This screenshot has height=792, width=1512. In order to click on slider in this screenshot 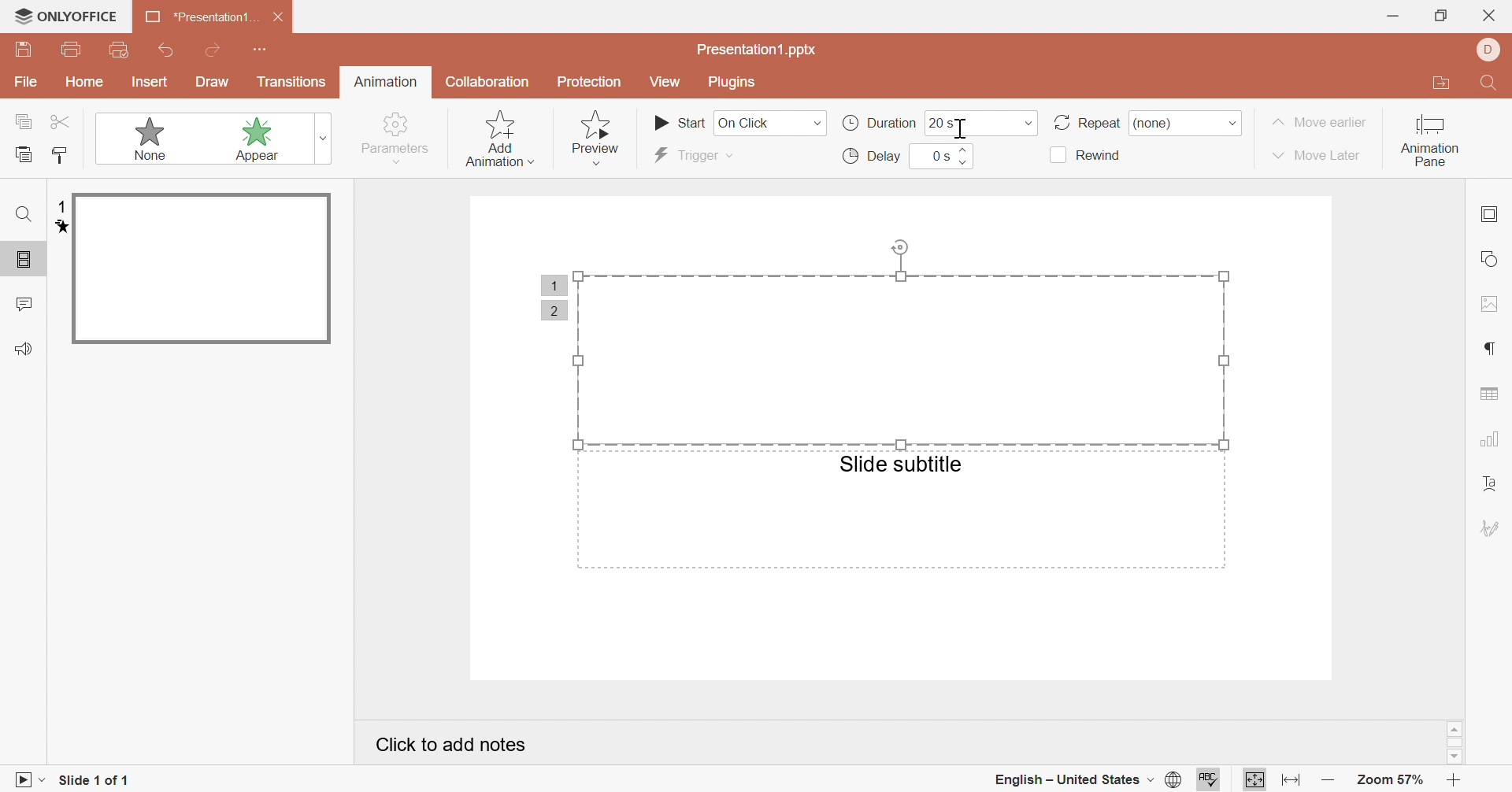, I will do `click(965, 156)`.